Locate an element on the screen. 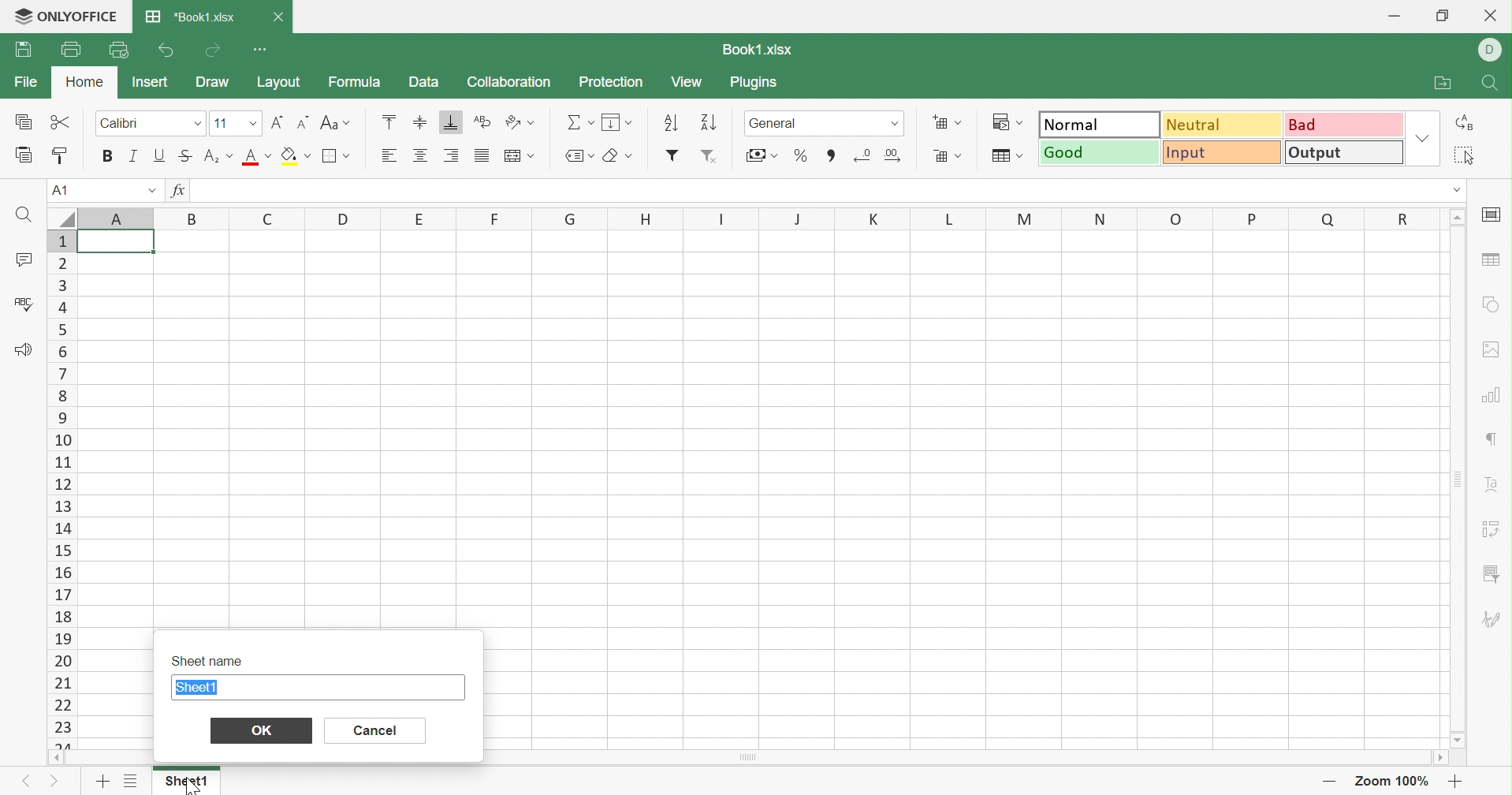 This screenshot has width=1512, height=795. Underline is located at coordinates (160, 154).